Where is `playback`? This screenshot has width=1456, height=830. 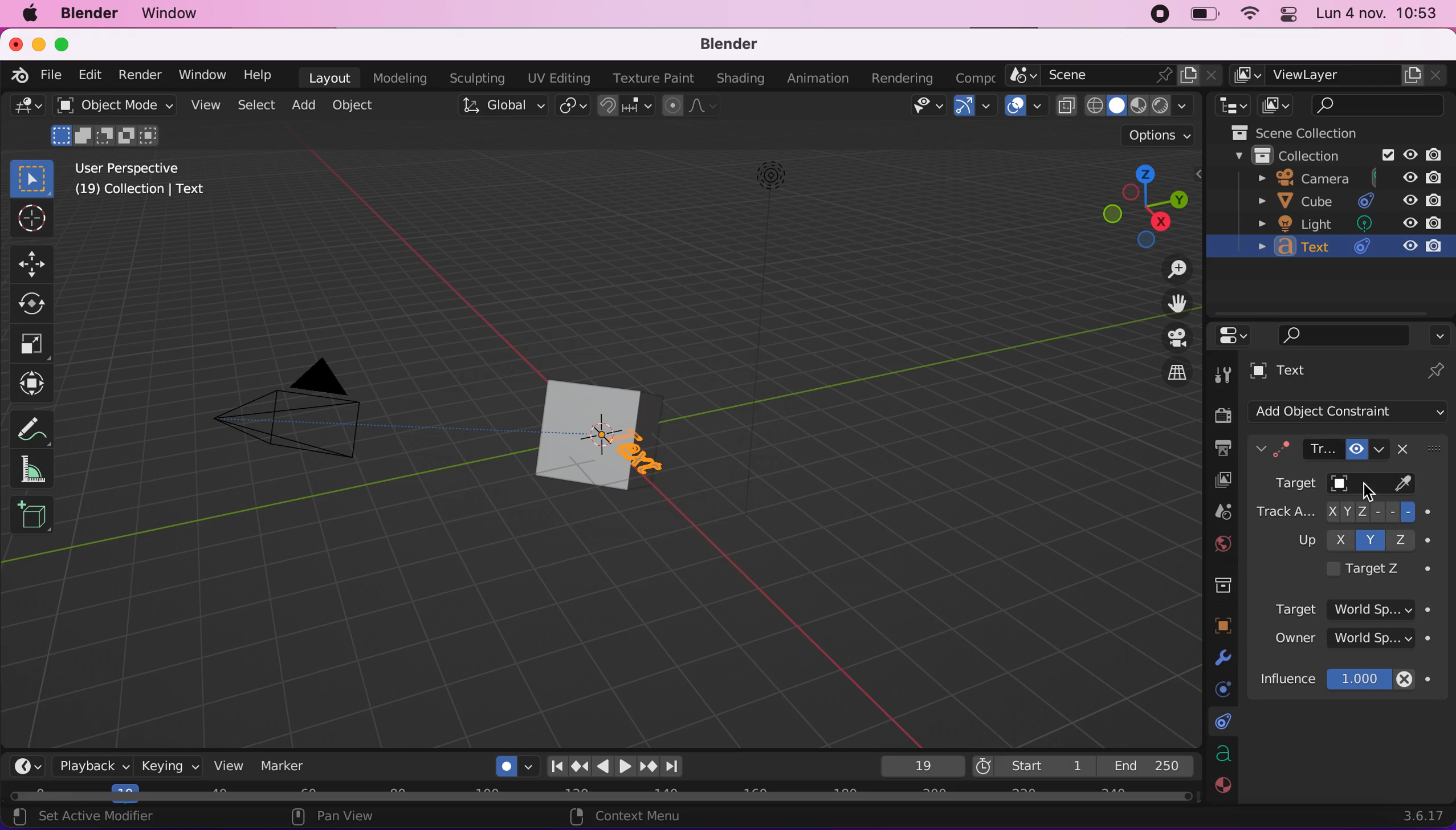
playback is located at coordinates (95, 768).